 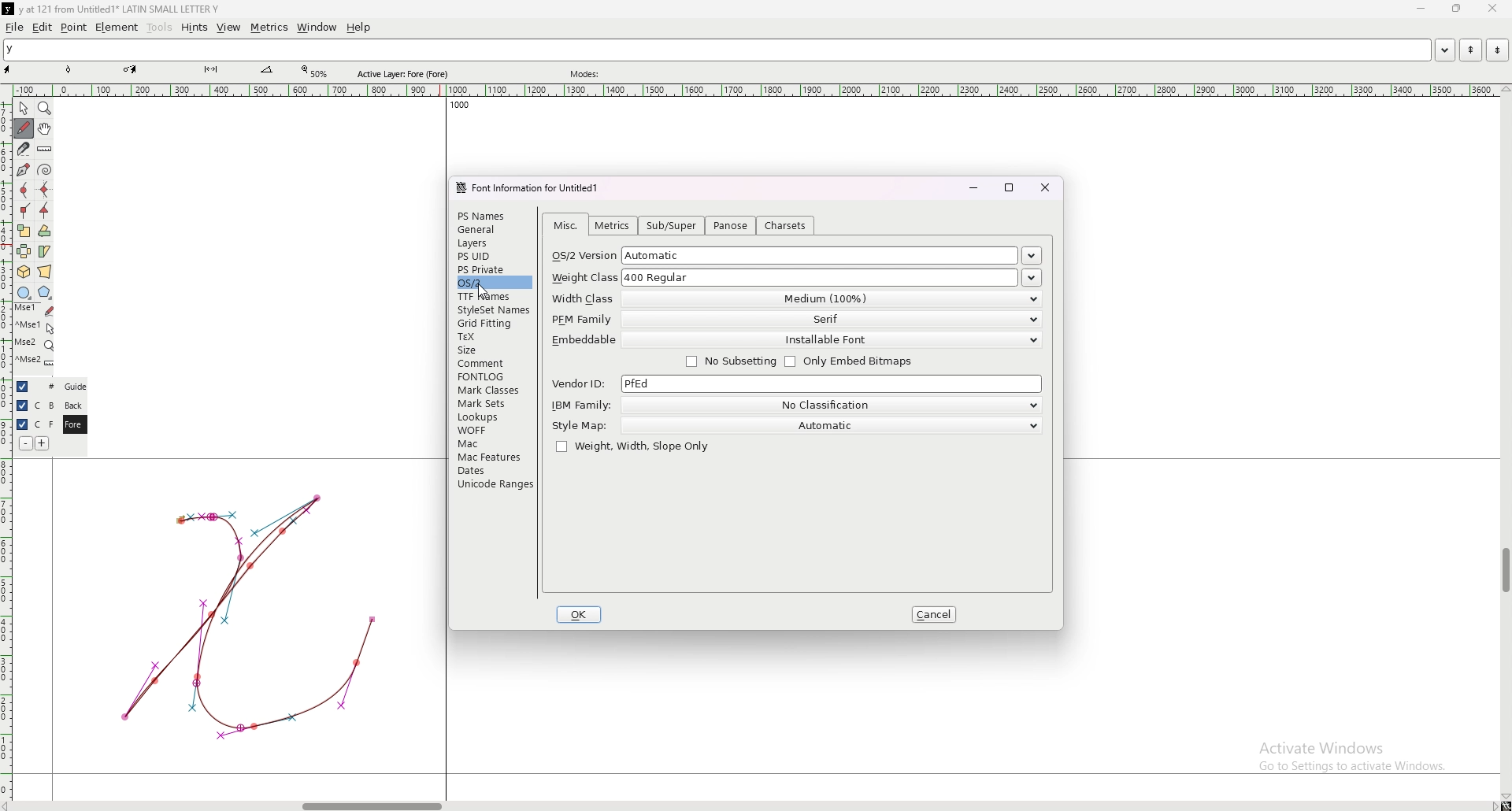 What do you see at coordinates (1469, 50) in the screenshot?
I see `previous word` at bounding box center [1469, 50].